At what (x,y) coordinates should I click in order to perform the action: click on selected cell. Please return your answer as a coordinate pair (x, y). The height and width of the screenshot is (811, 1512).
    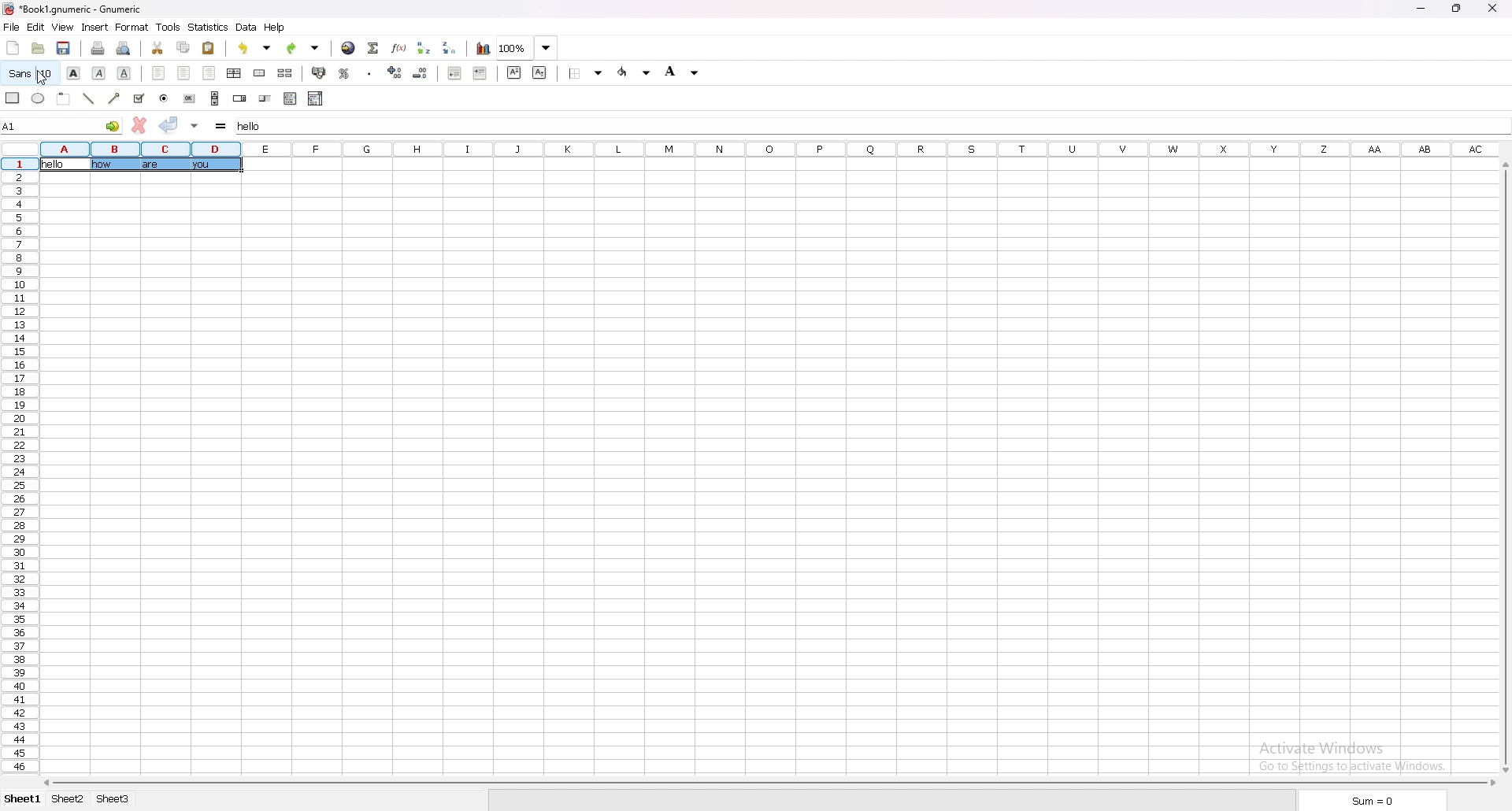
    Looking at the image, I should click on (61, 125).